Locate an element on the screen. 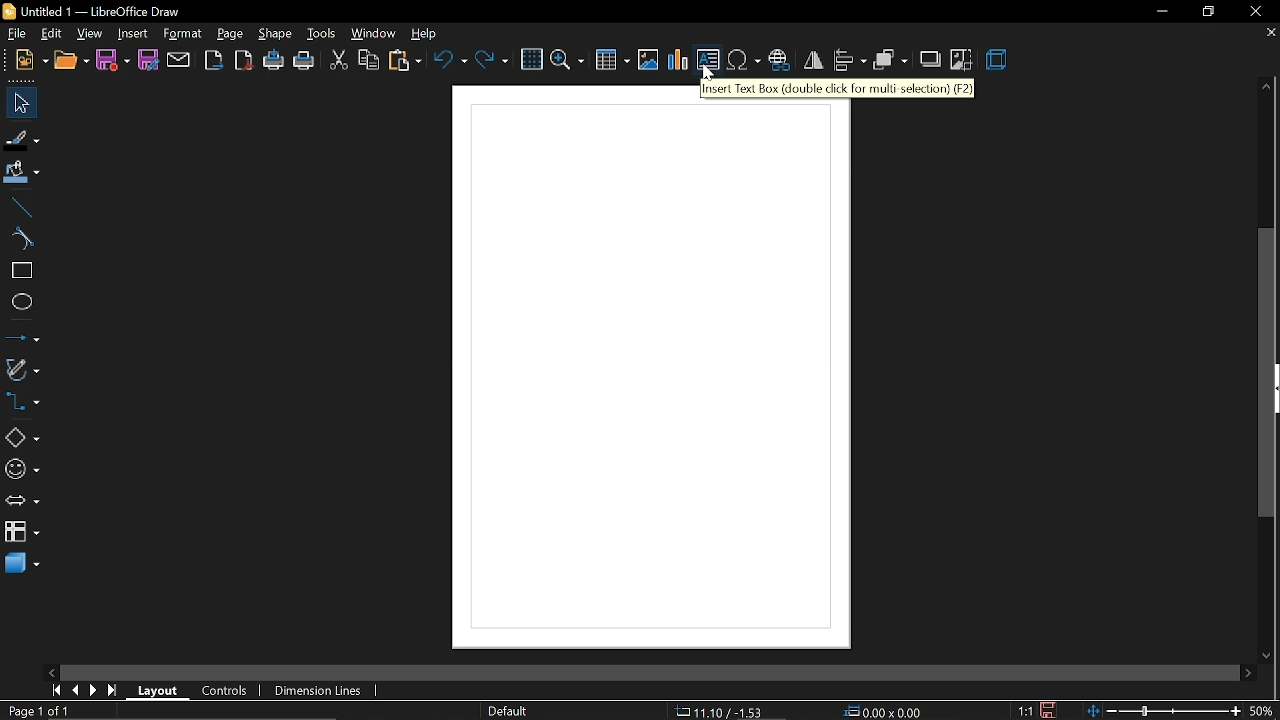 The height and width of the screenshot is (720, 1280). cut is located at coordinates (338, 62).